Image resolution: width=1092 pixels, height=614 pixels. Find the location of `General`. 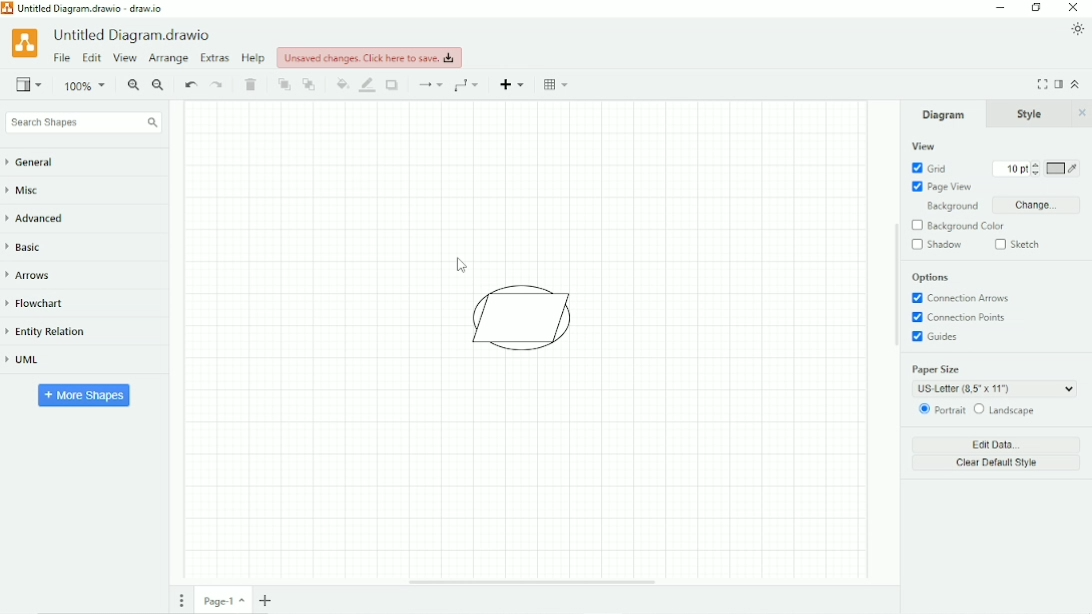

General is located at coordinates (40, 163).